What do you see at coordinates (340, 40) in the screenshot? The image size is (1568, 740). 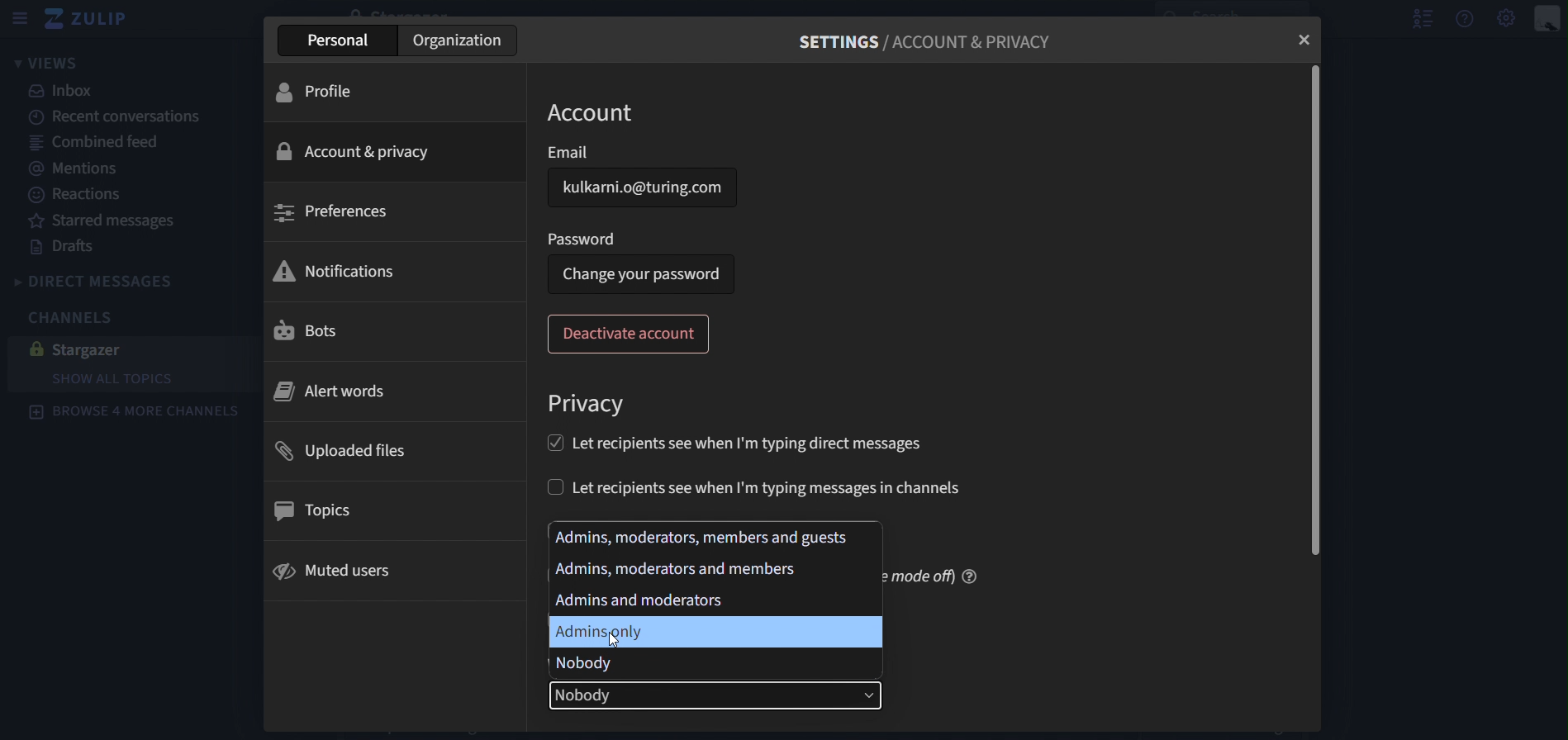 I see `personal` at bounding box center [340, 40].